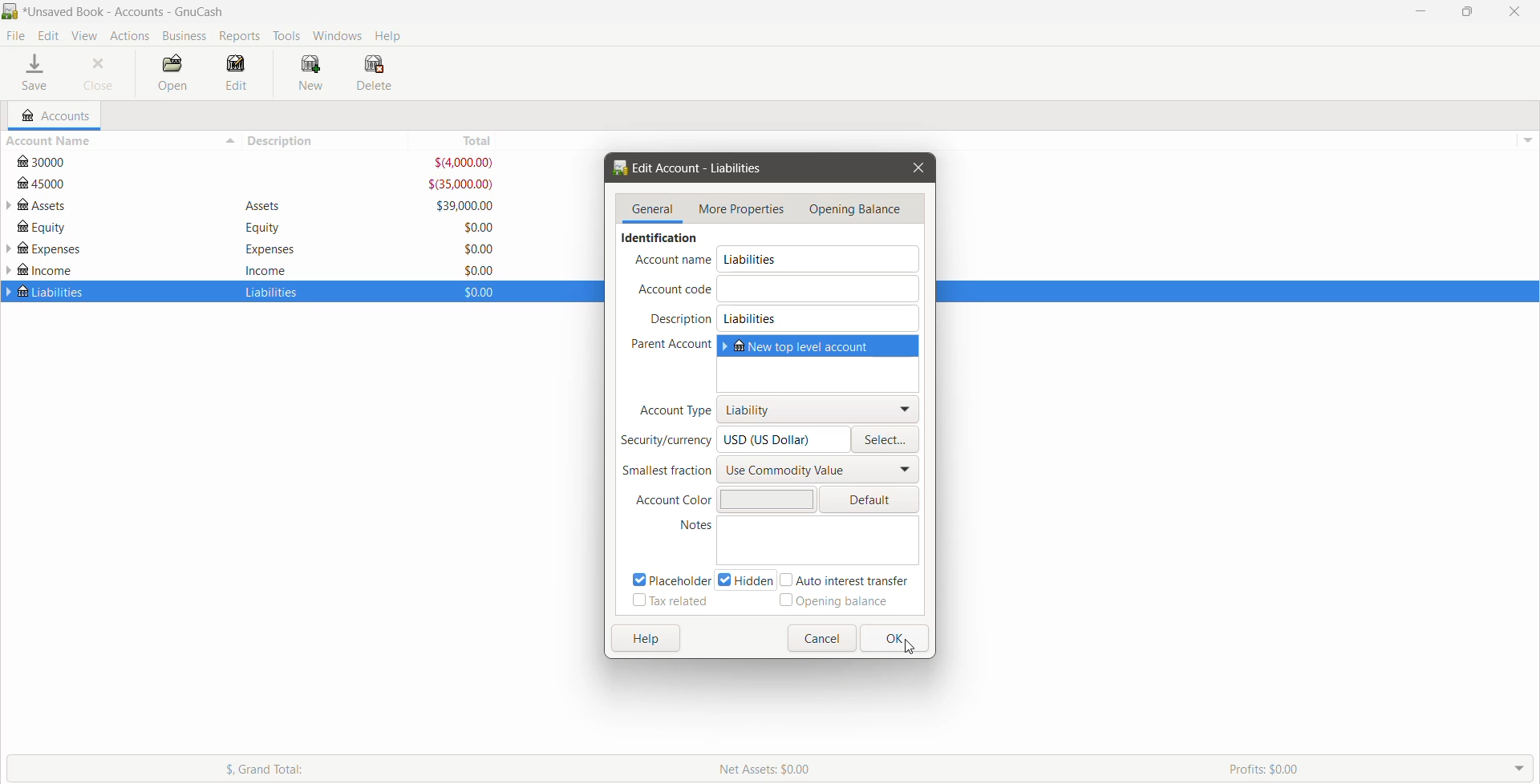 Image resolution: width=1540 pixels, height=784 pixels. What do you see at coordinates (834, 603) in the screenshot?
I see `Opening balance - click to enable/disable` at bounding box center [834, 603].